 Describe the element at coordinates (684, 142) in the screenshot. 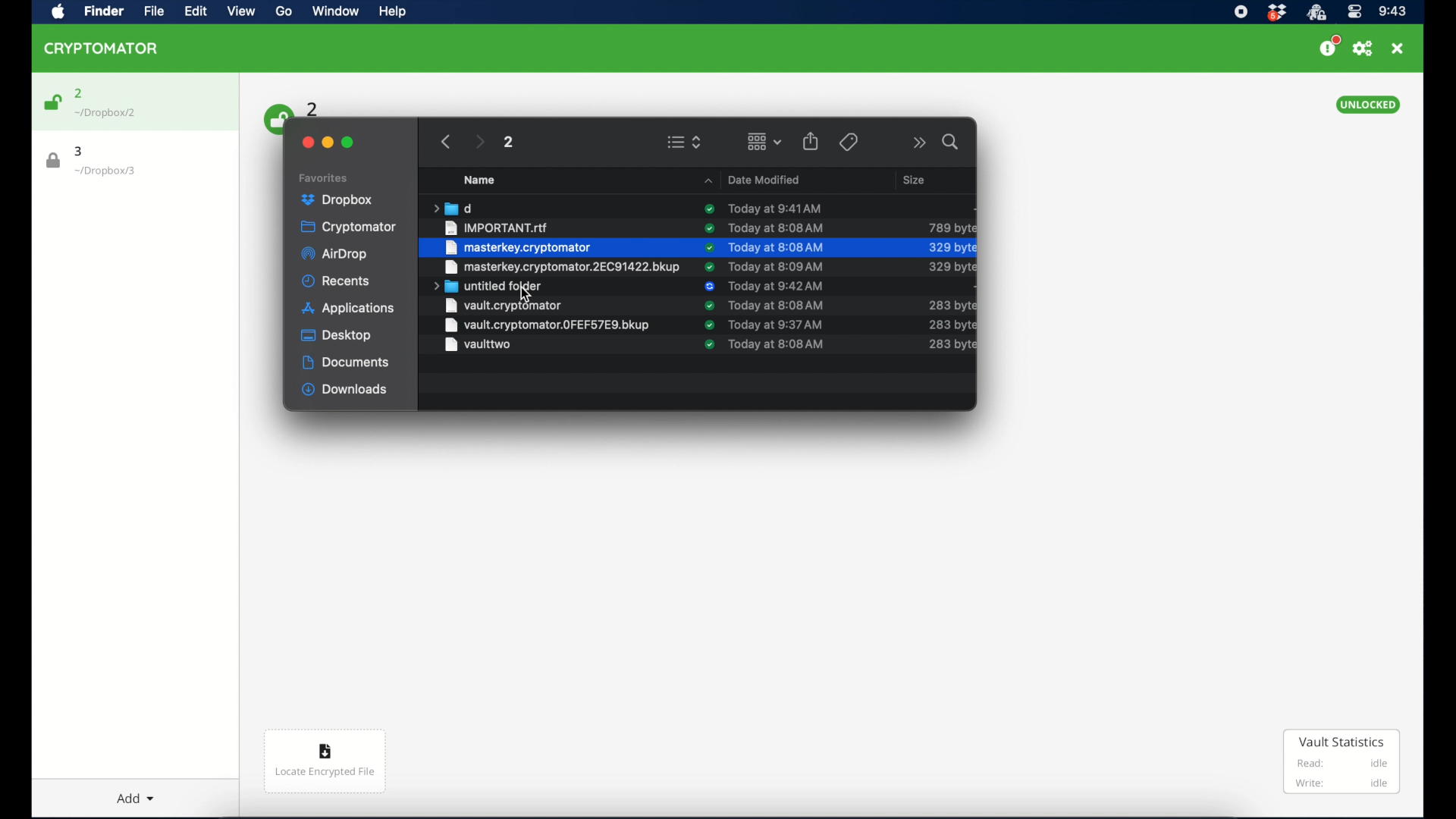

I see `view options` at that location.